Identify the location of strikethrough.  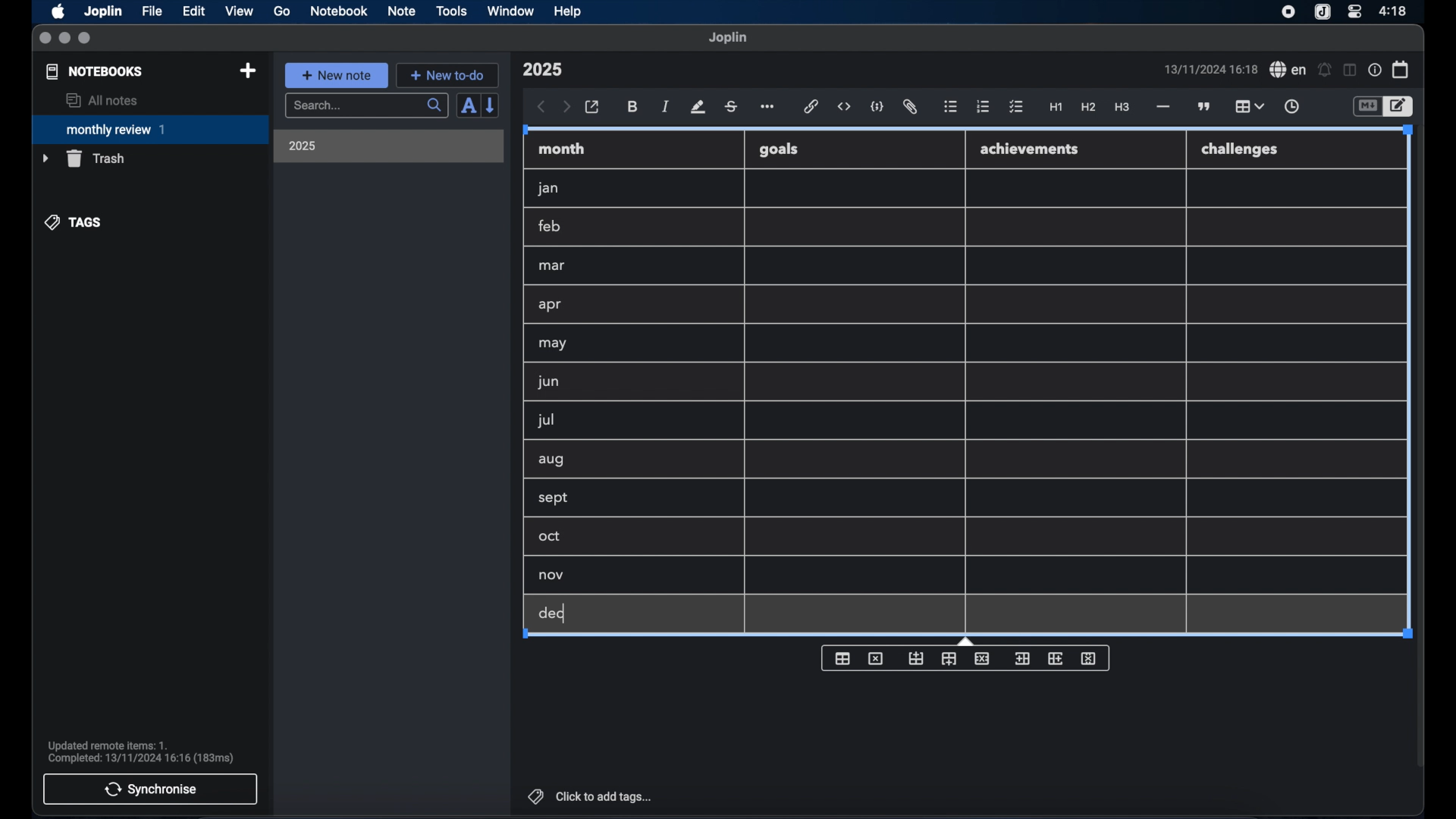
(730, 107).